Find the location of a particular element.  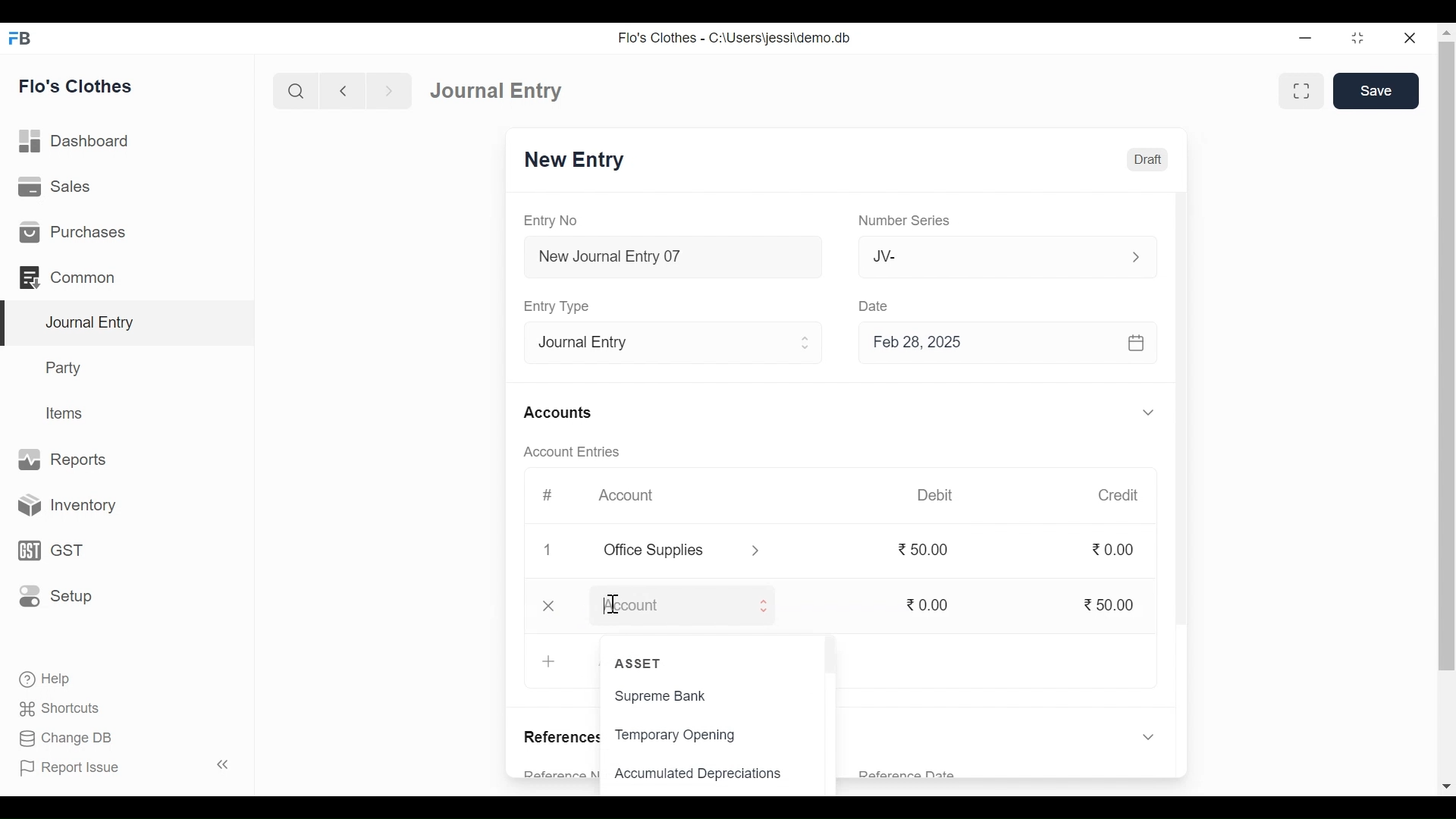

Entry No is located at coordinates (551, 220).